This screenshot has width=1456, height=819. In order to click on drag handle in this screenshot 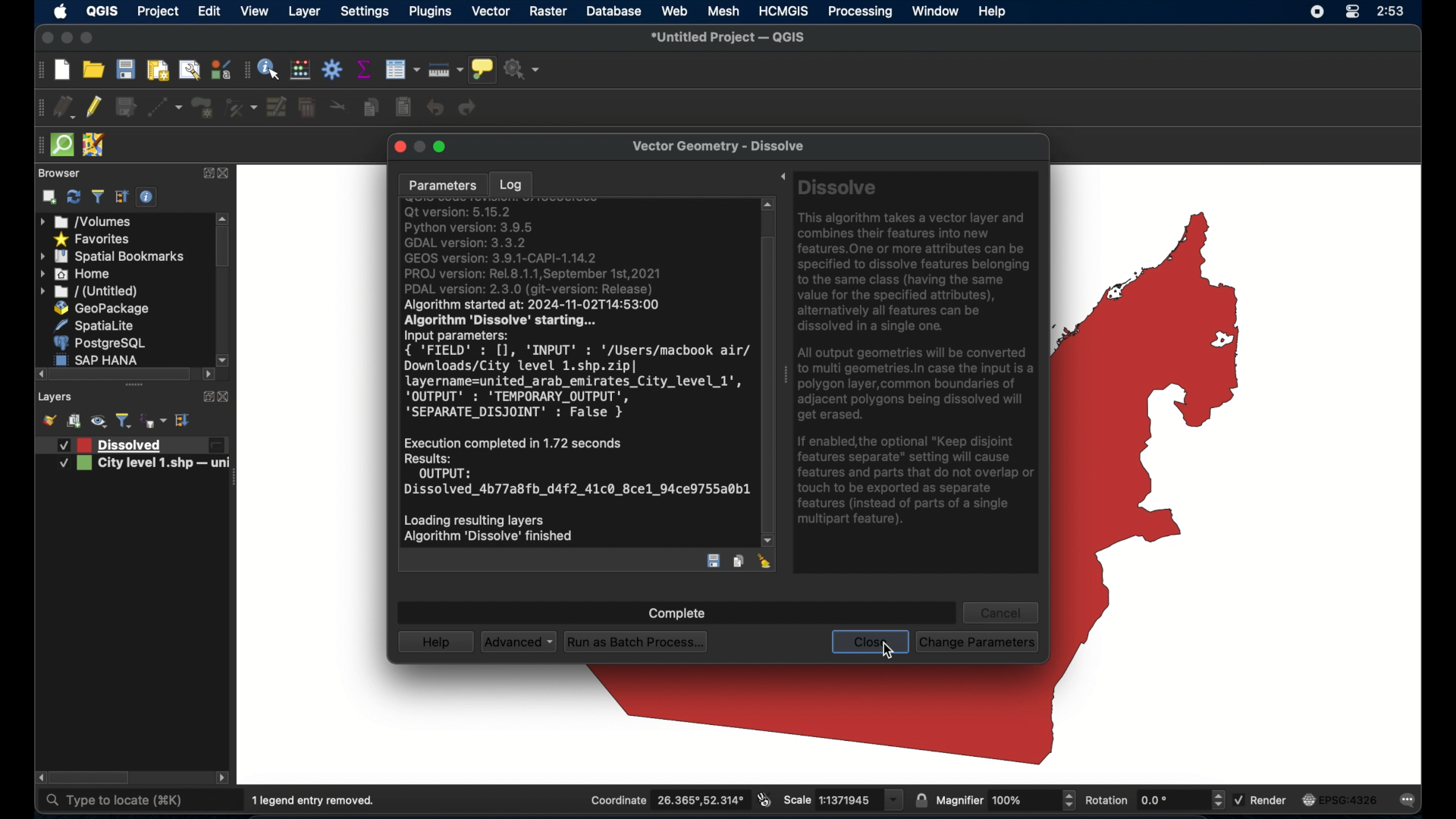, I will do `click(785, 378)`.